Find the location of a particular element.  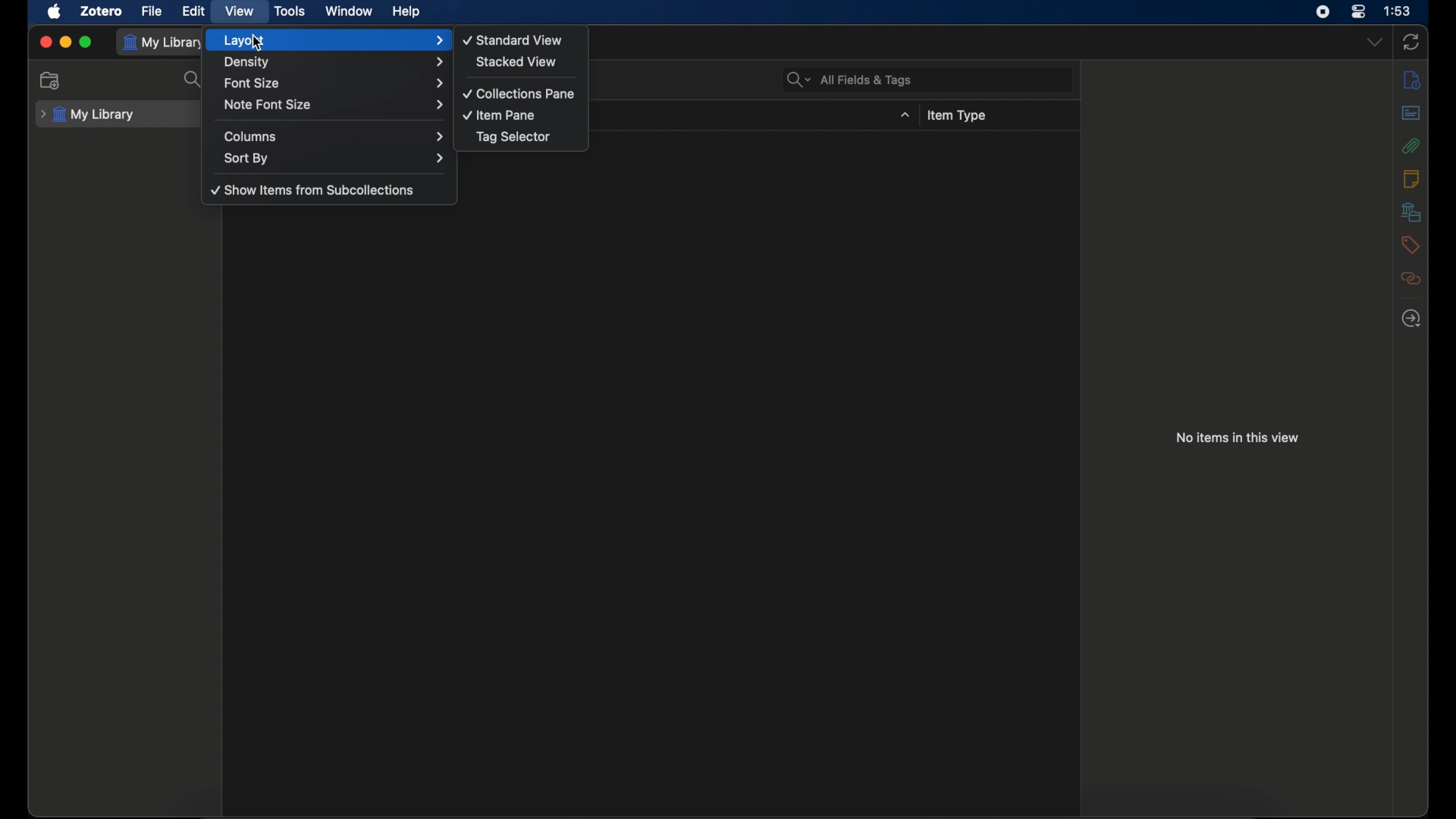

info is located at coordinates (1412, 80).